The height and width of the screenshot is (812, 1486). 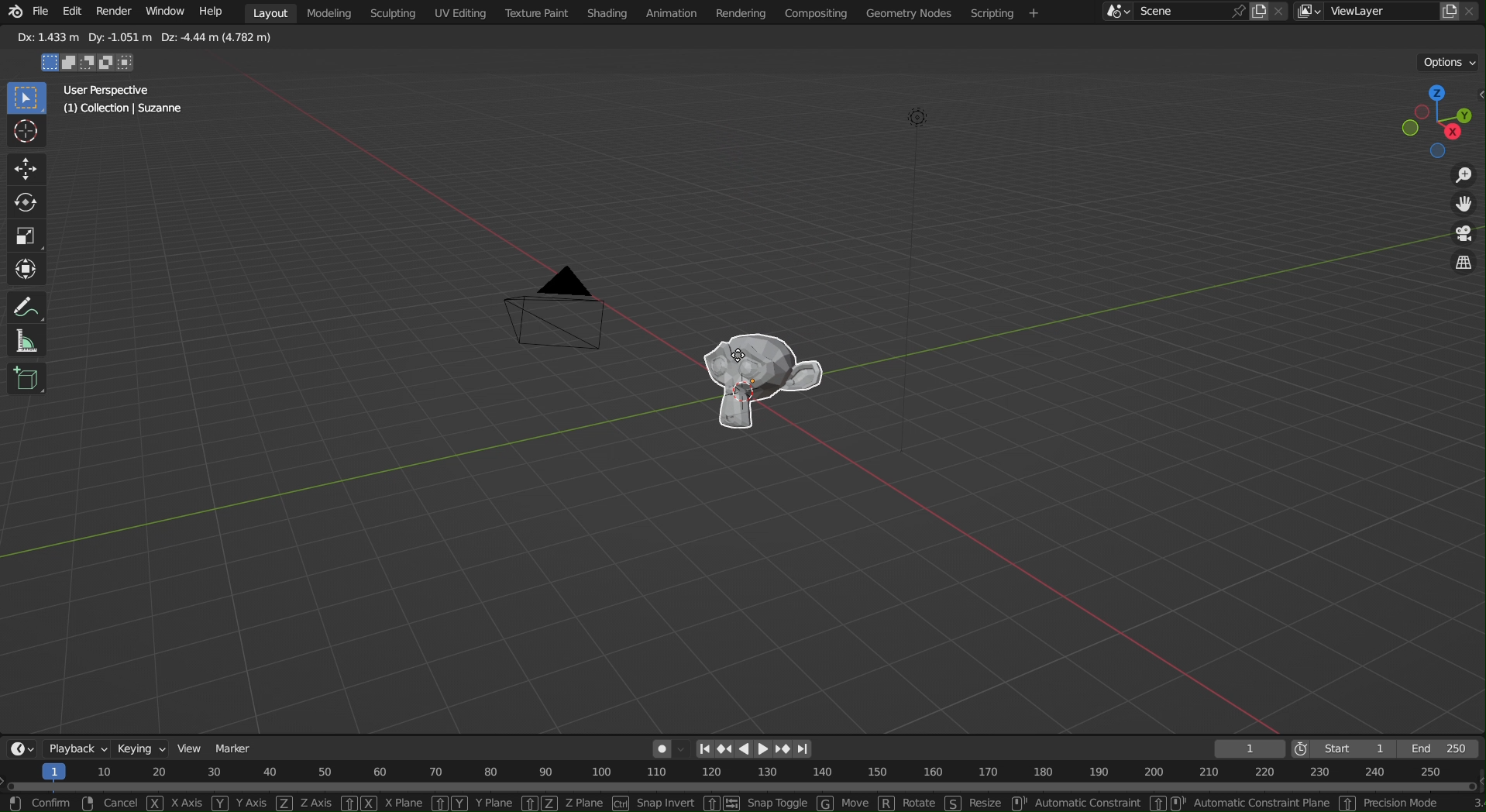 I want to click on End 250, so click(x=1438, y=749).